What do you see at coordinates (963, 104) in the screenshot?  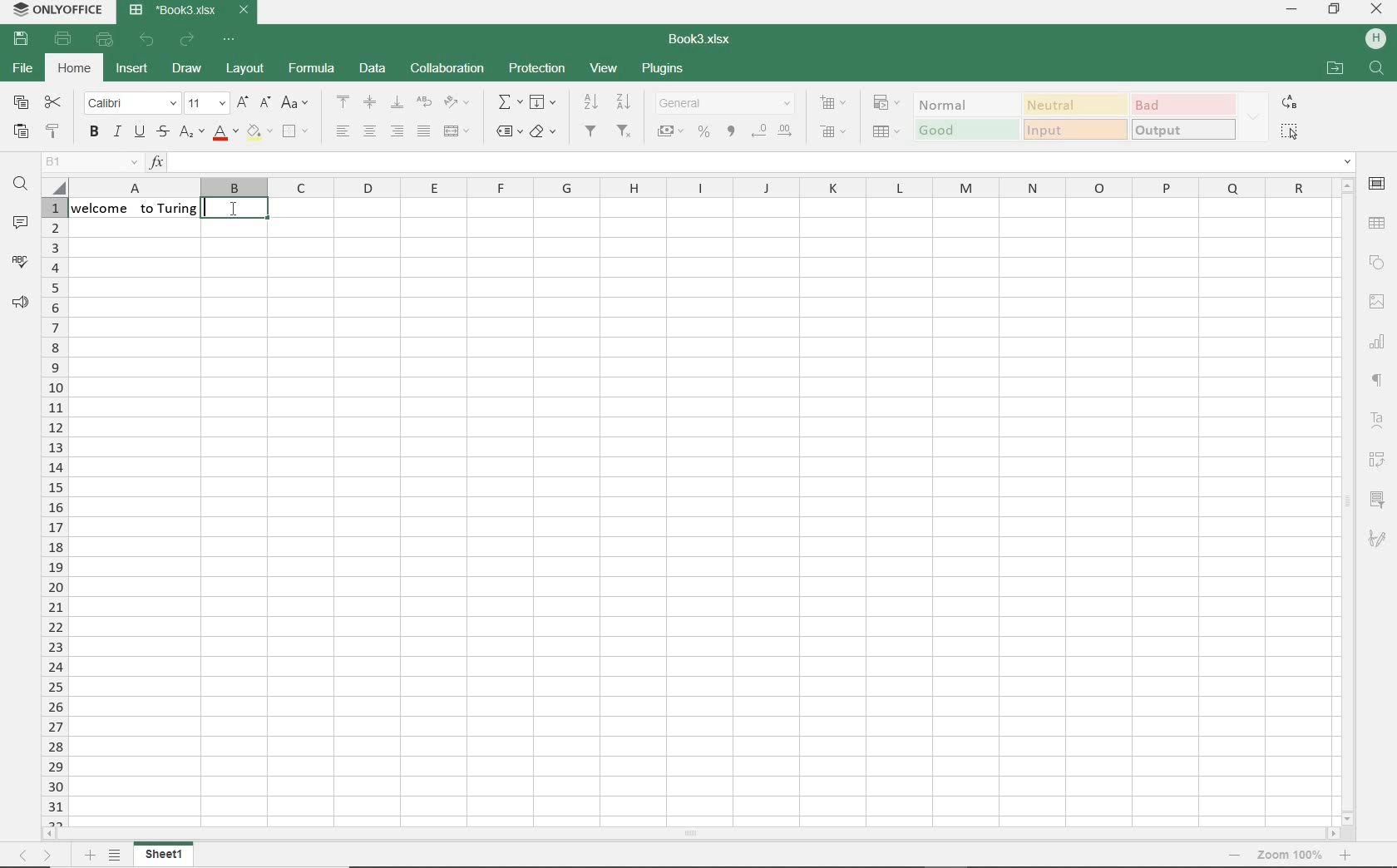 I see `normal` at bounding box center [963, 104].